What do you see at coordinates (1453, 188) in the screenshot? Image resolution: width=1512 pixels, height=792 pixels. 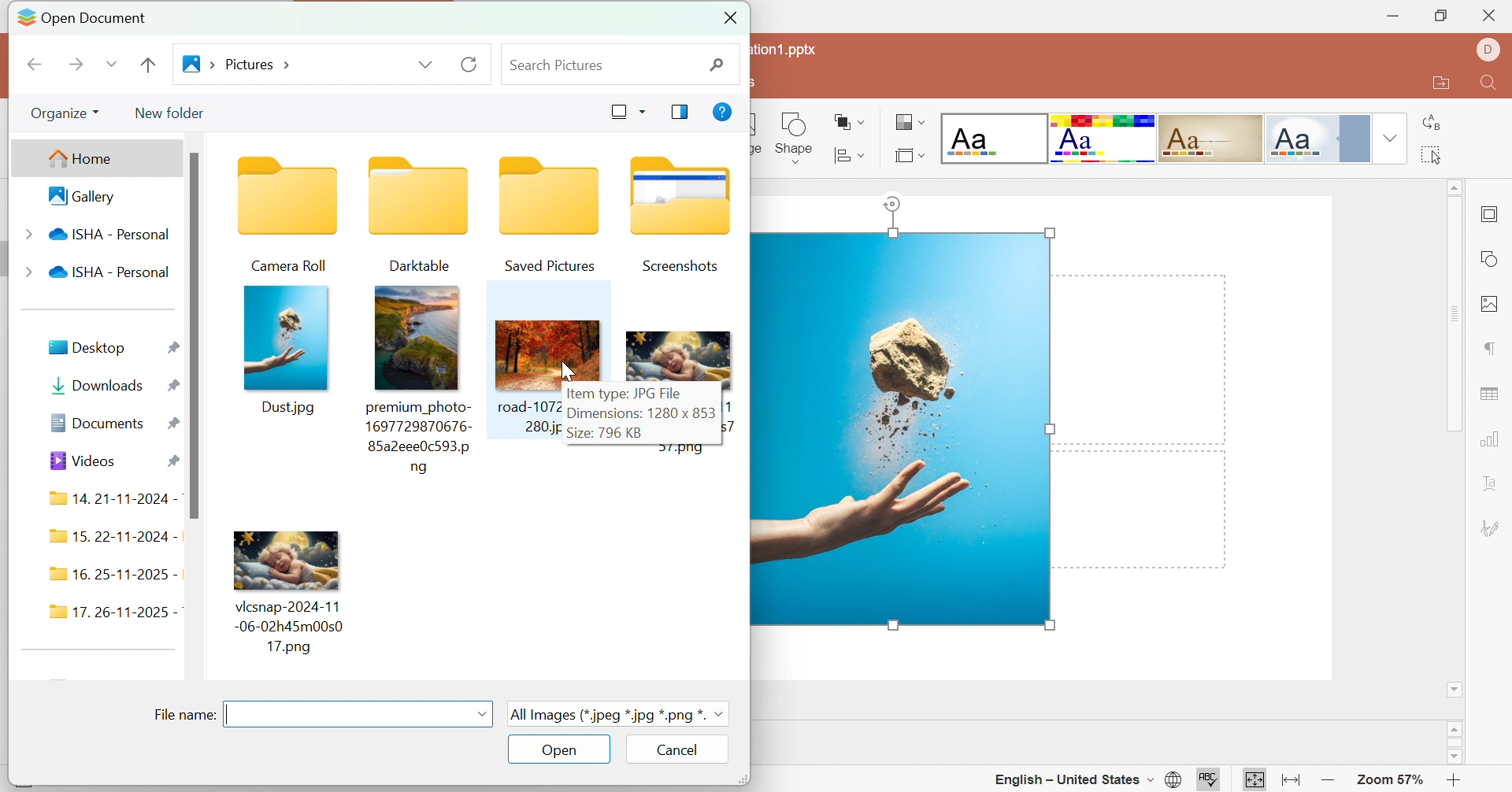 I see `Scroll Up` at bounding box center [1453, 188].